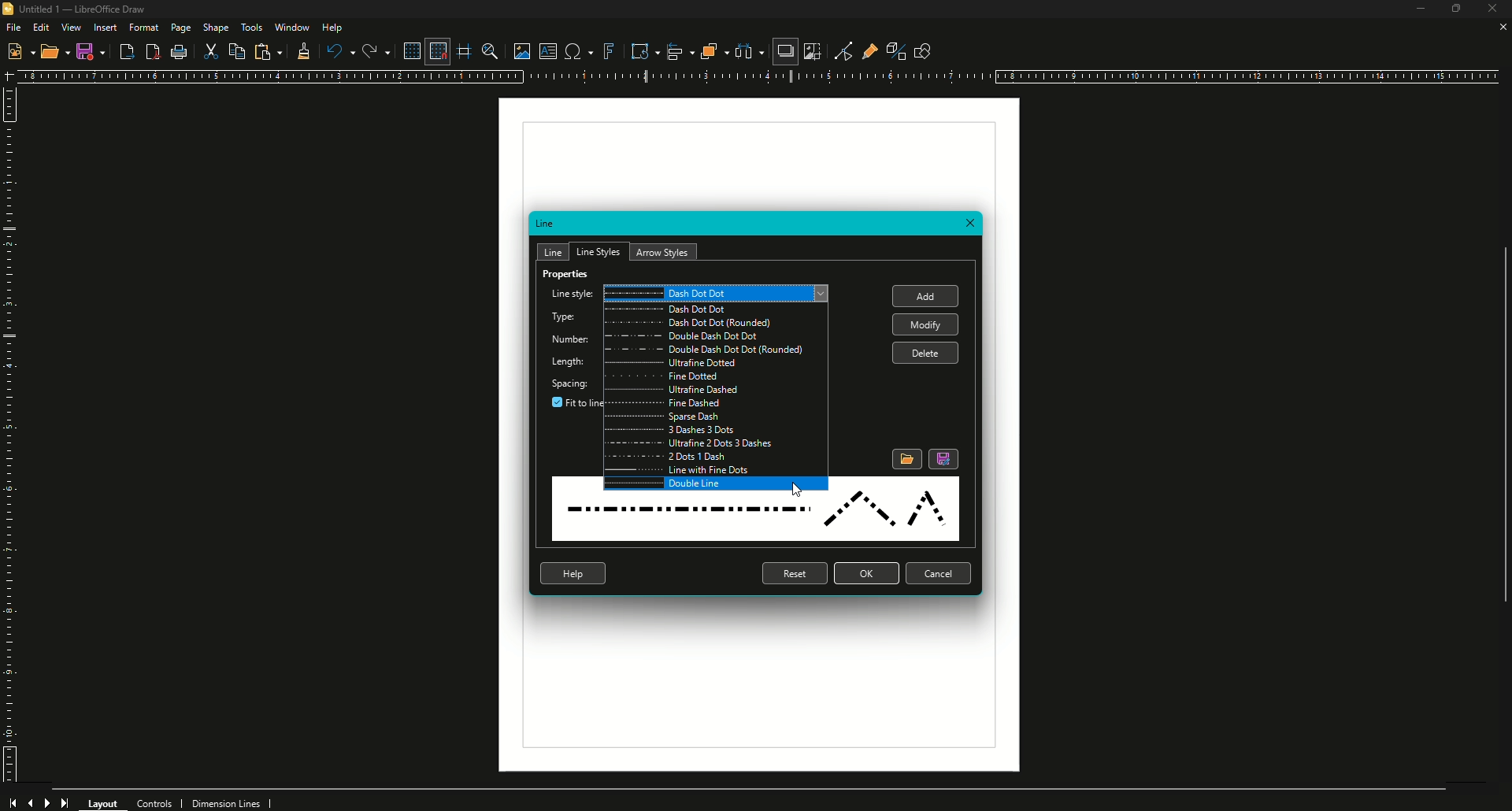 The height and width of the screenshot is (811, 1512). What do you see at coordinates (126, 53) in the screenshot?
I see `Export` at bounding box center [126, 53].